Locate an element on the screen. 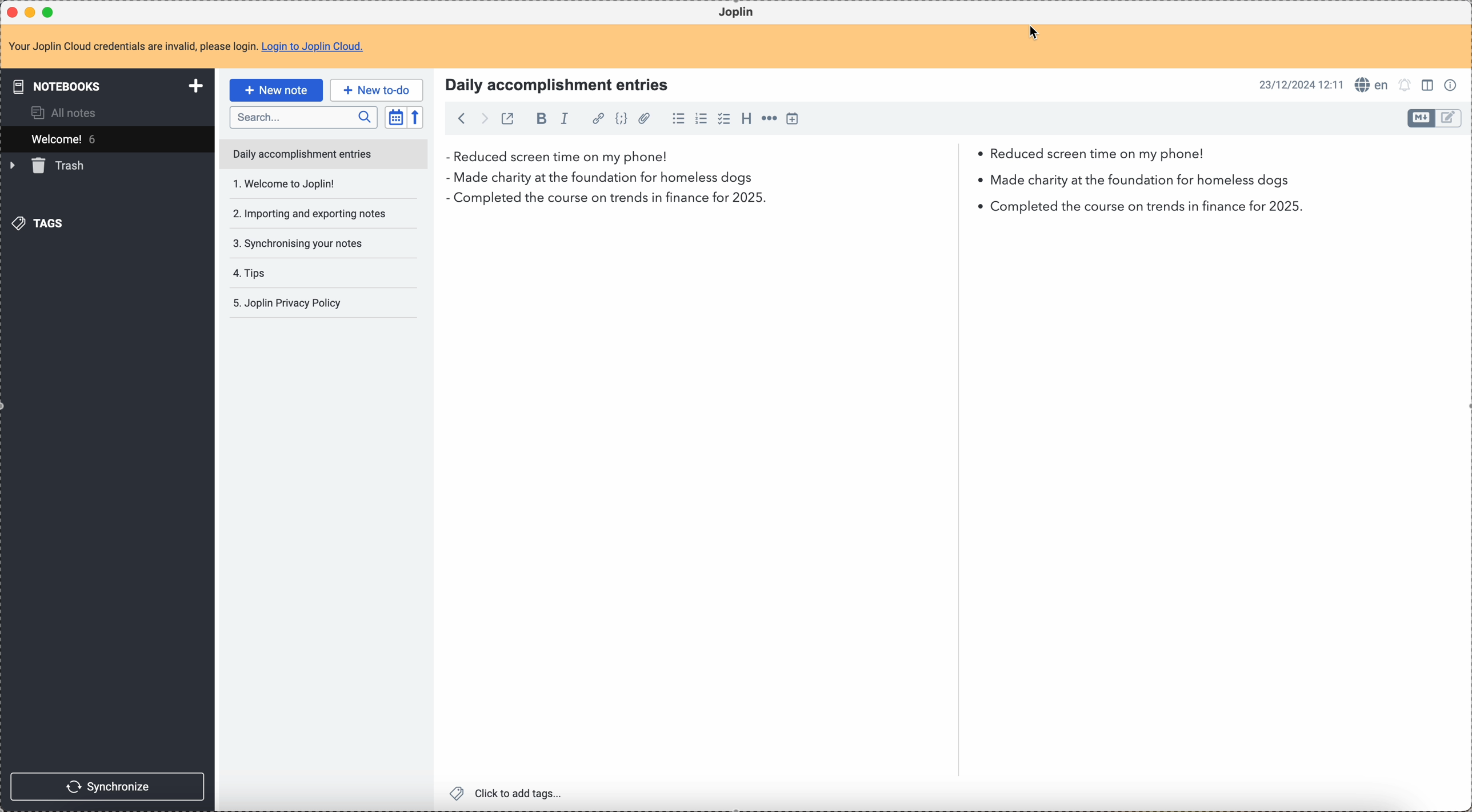  bulleted list is located at coordinates (678, 120).